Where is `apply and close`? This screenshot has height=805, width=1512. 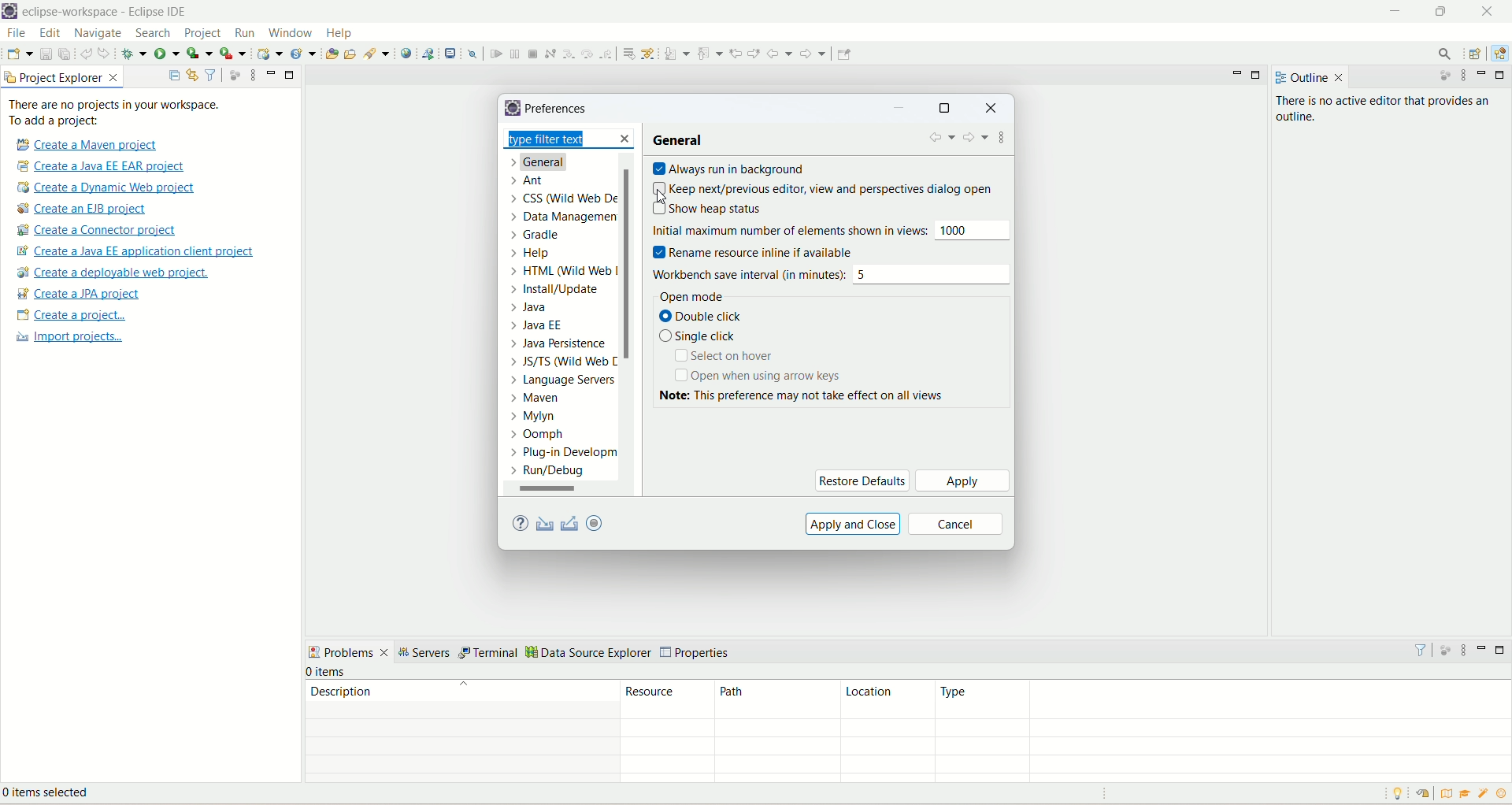 apply and close is located at coordinates (854, 523).